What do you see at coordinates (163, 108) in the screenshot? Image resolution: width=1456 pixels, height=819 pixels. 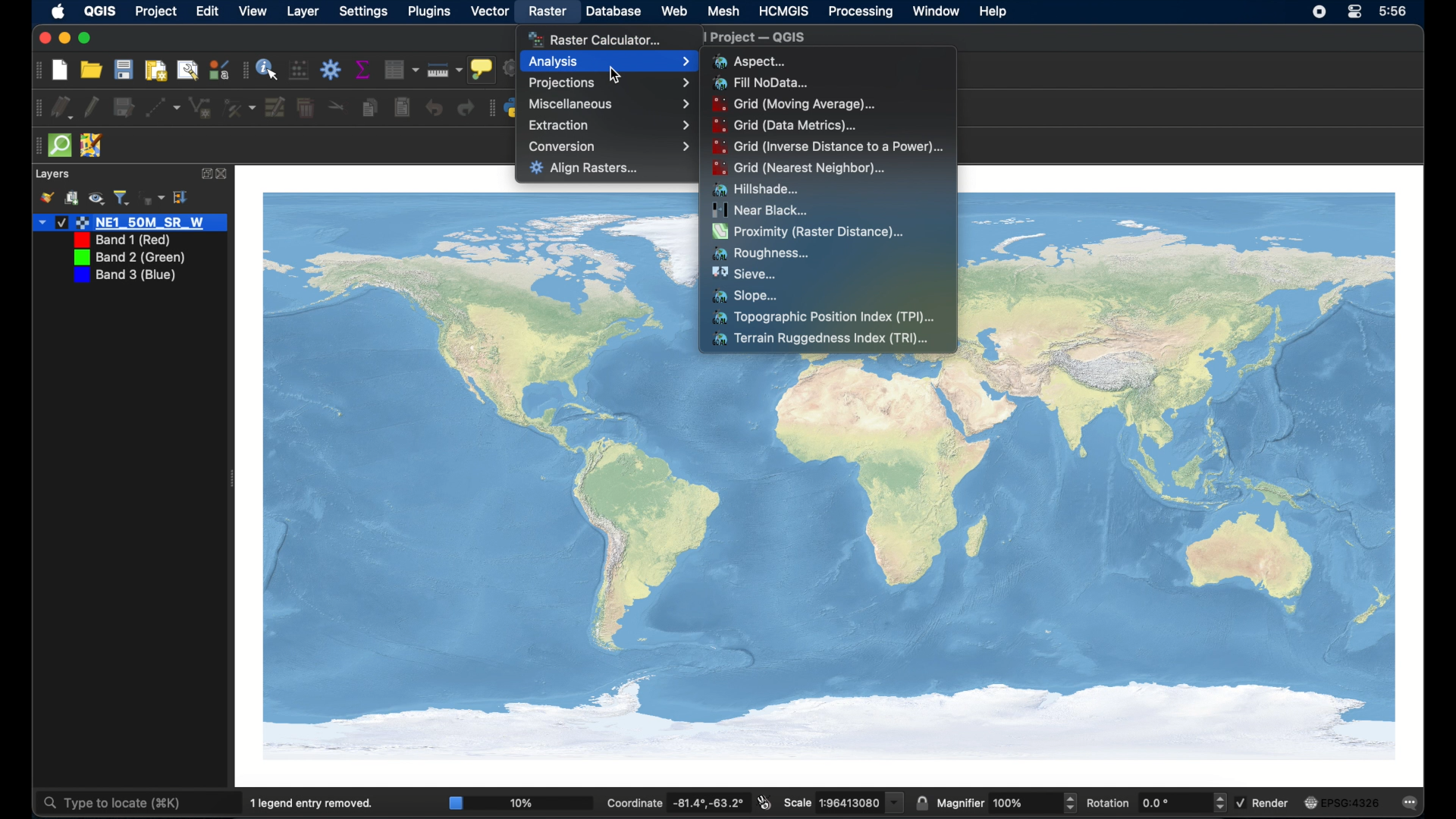 I see `digitize with segment` at bounding box center [163, 108].